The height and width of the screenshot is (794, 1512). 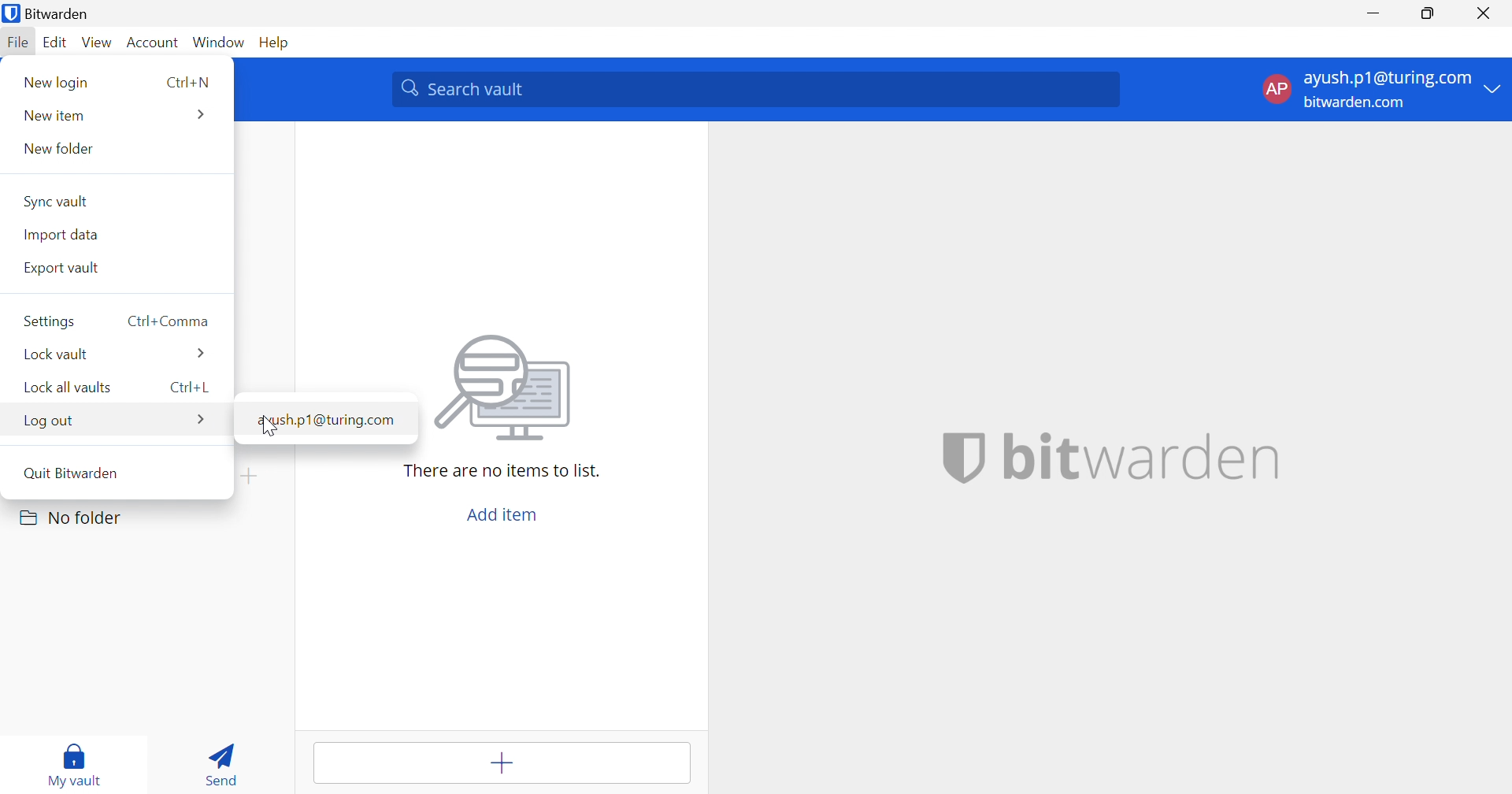 What do you see at coordinates (1485, 14) in the screenshot?
I see `Close` at bounding box center [1485, 14].